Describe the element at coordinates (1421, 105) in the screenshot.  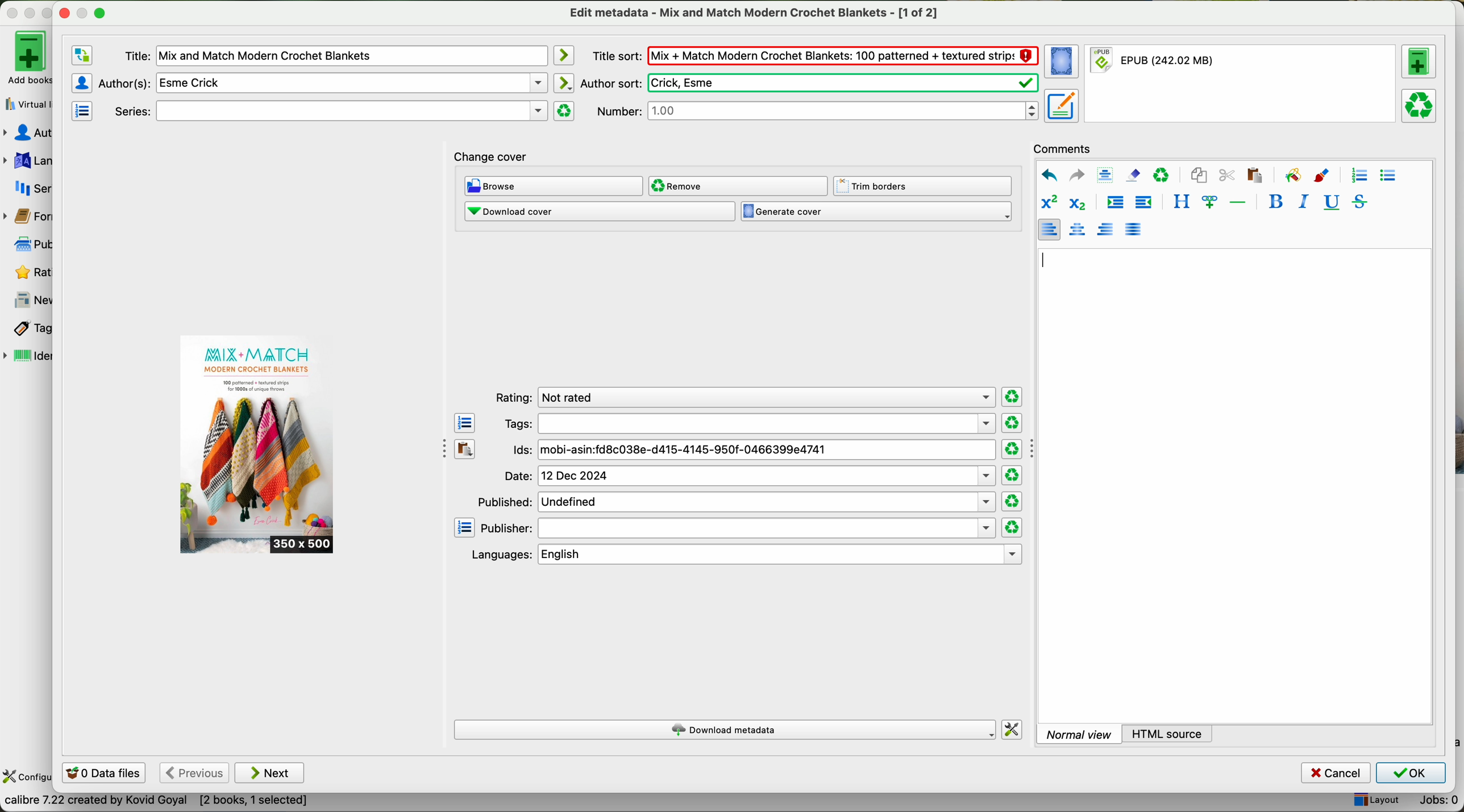
I see `remove the selected format from this book` at that location.